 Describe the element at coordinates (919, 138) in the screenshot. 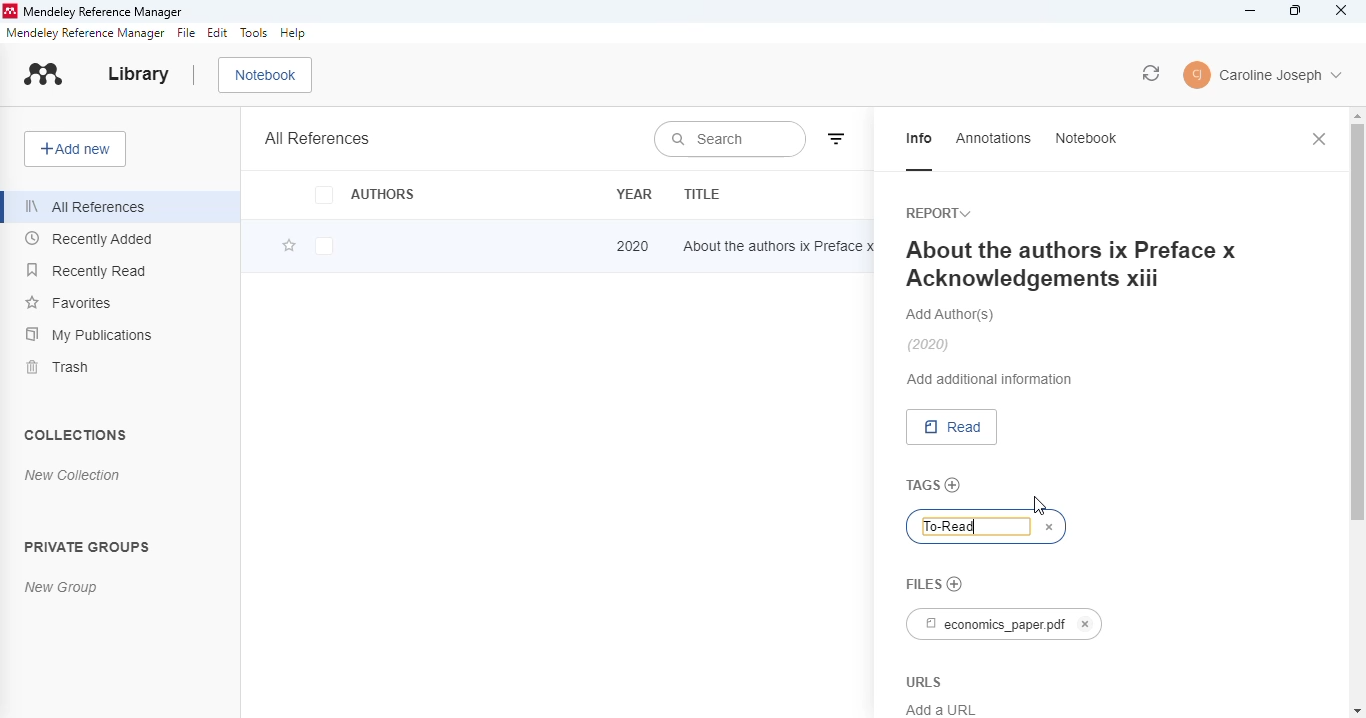

I see `info` at that location.